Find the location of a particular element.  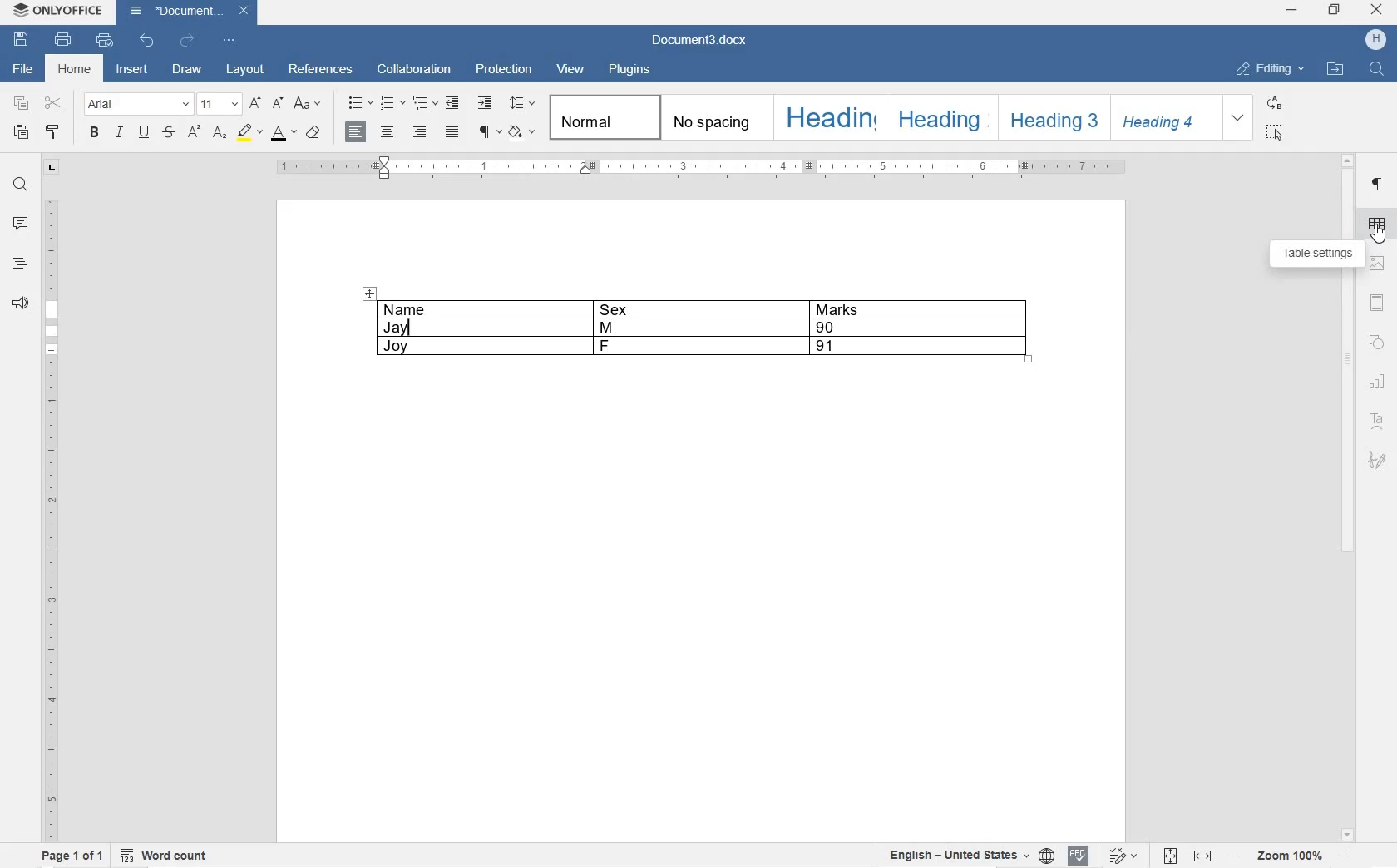

MINIMIZE is located at coordinates (1292, 8).